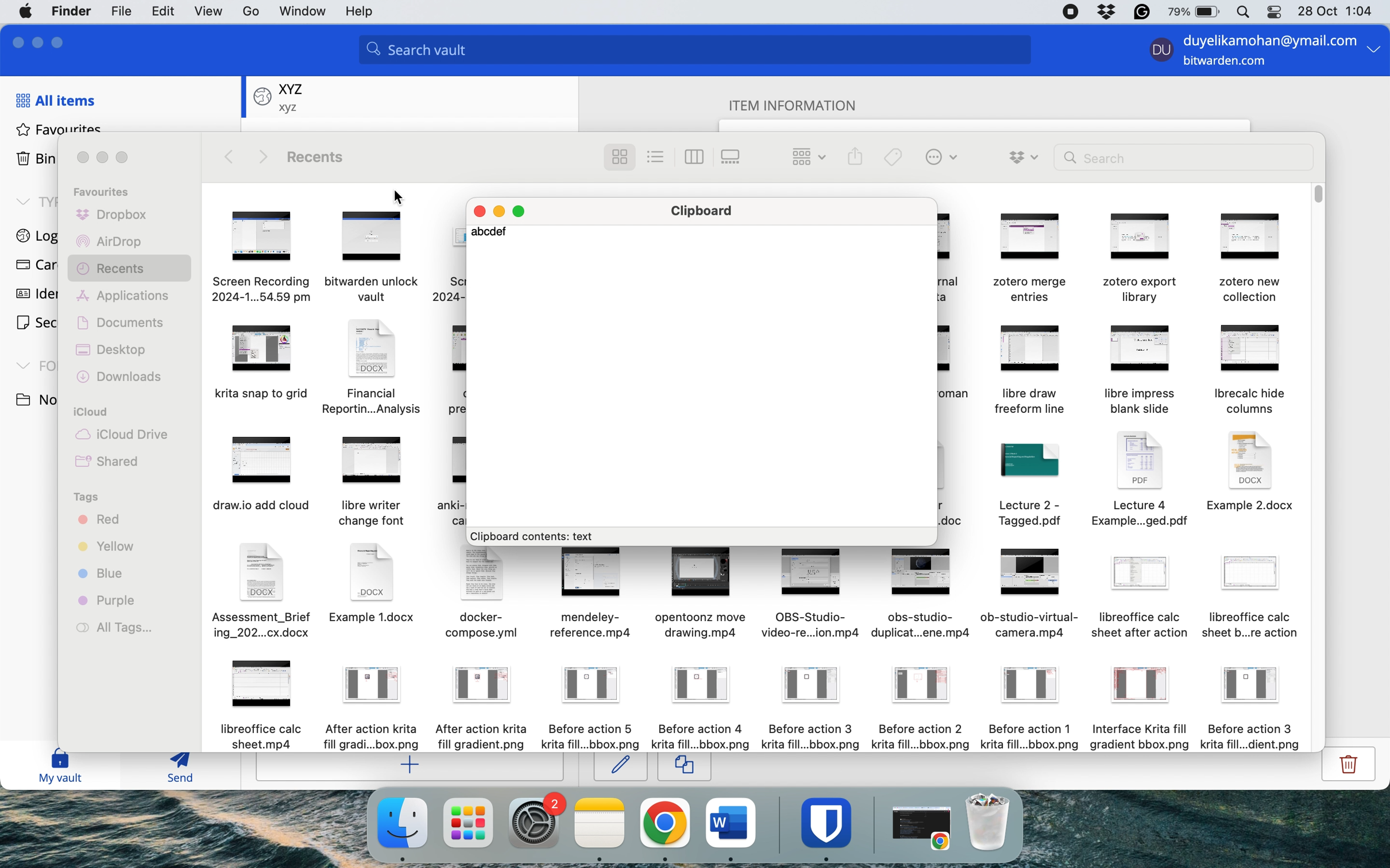 The image size is (1390, 868). I want to click on applications, so click(126, 297).